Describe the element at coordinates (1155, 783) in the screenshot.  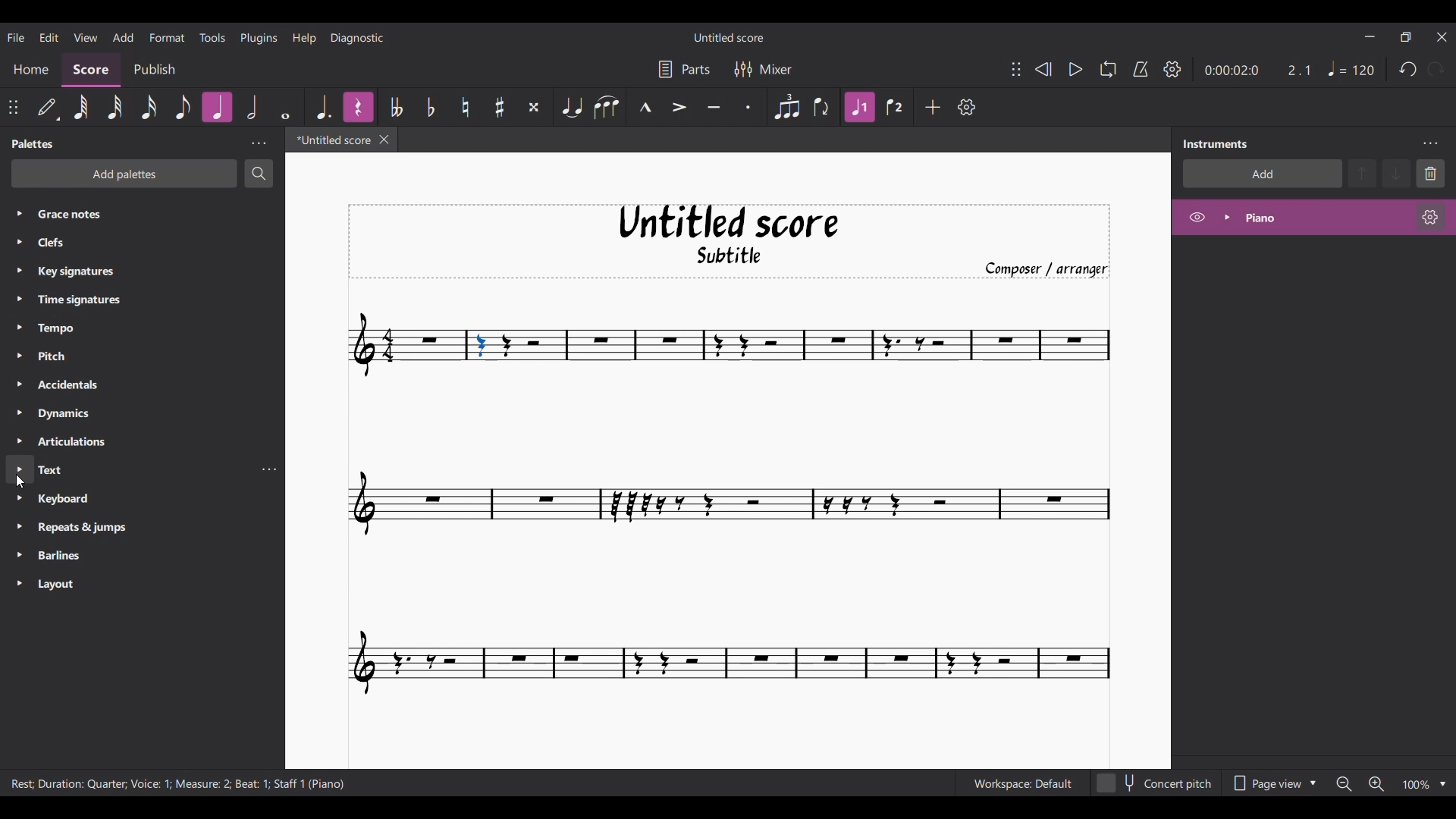
I see `Concert pitch toggle` at that location.